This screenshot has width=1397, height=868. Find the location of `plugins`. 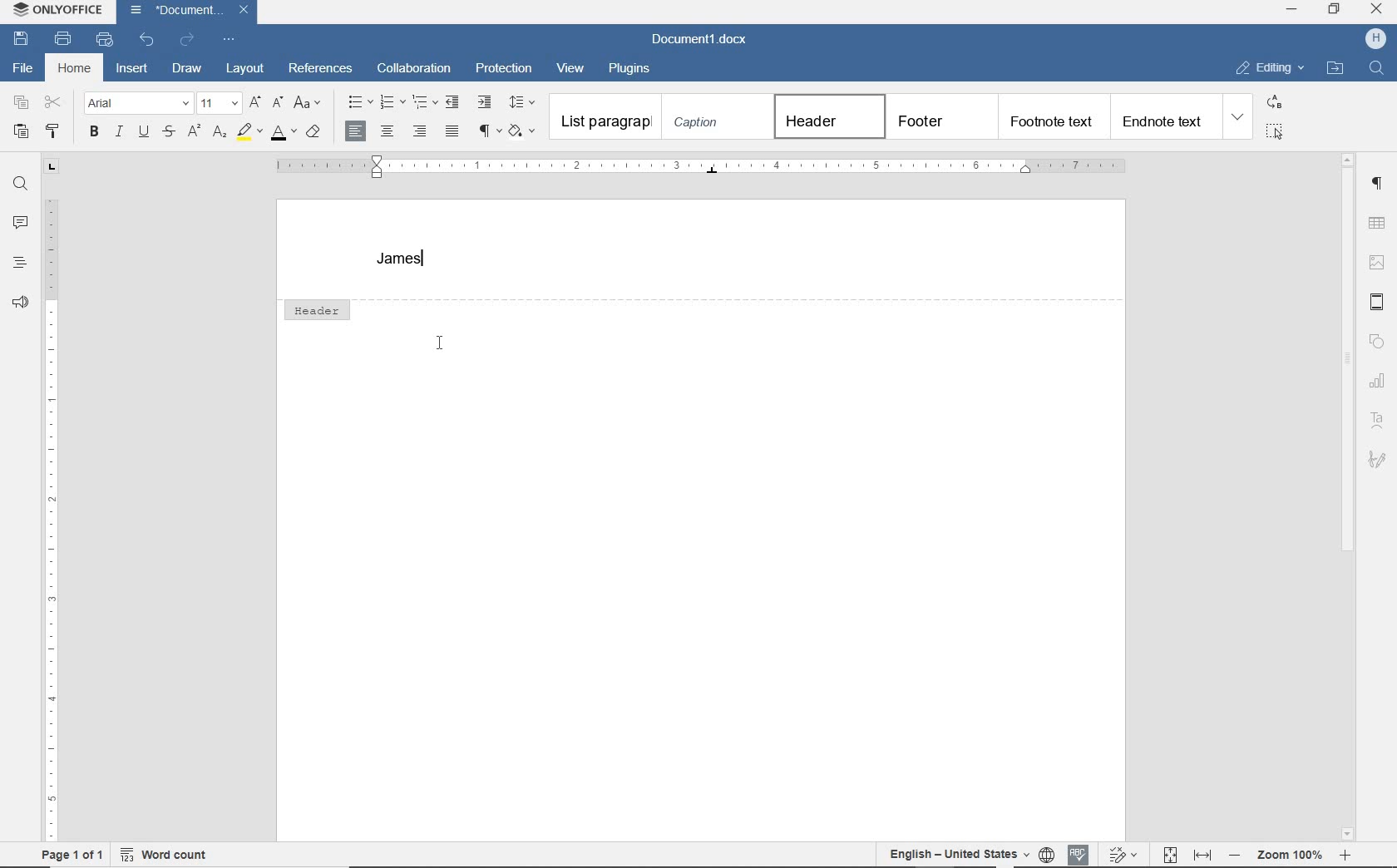

plugins is located at coordinates (633, 67).